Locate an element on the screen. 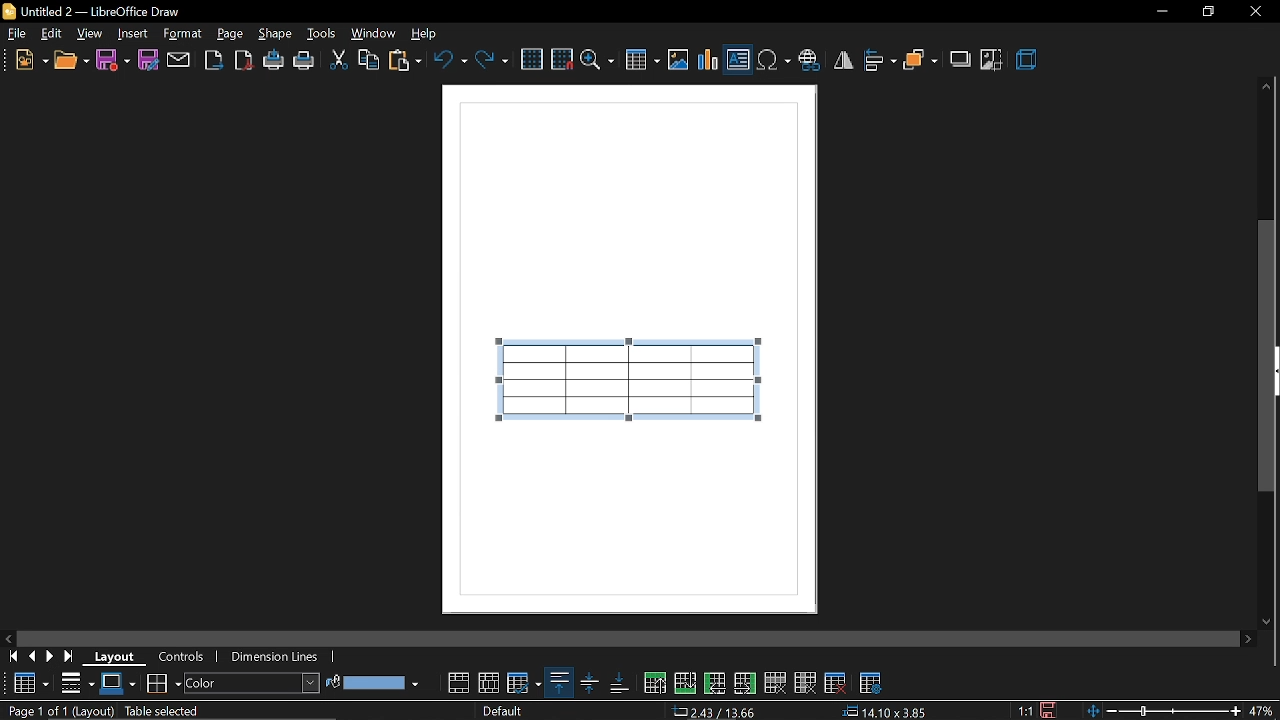 Image resolution: width=1280 pixels, height=720 pixels. layout is located at coordinates (119, 657).